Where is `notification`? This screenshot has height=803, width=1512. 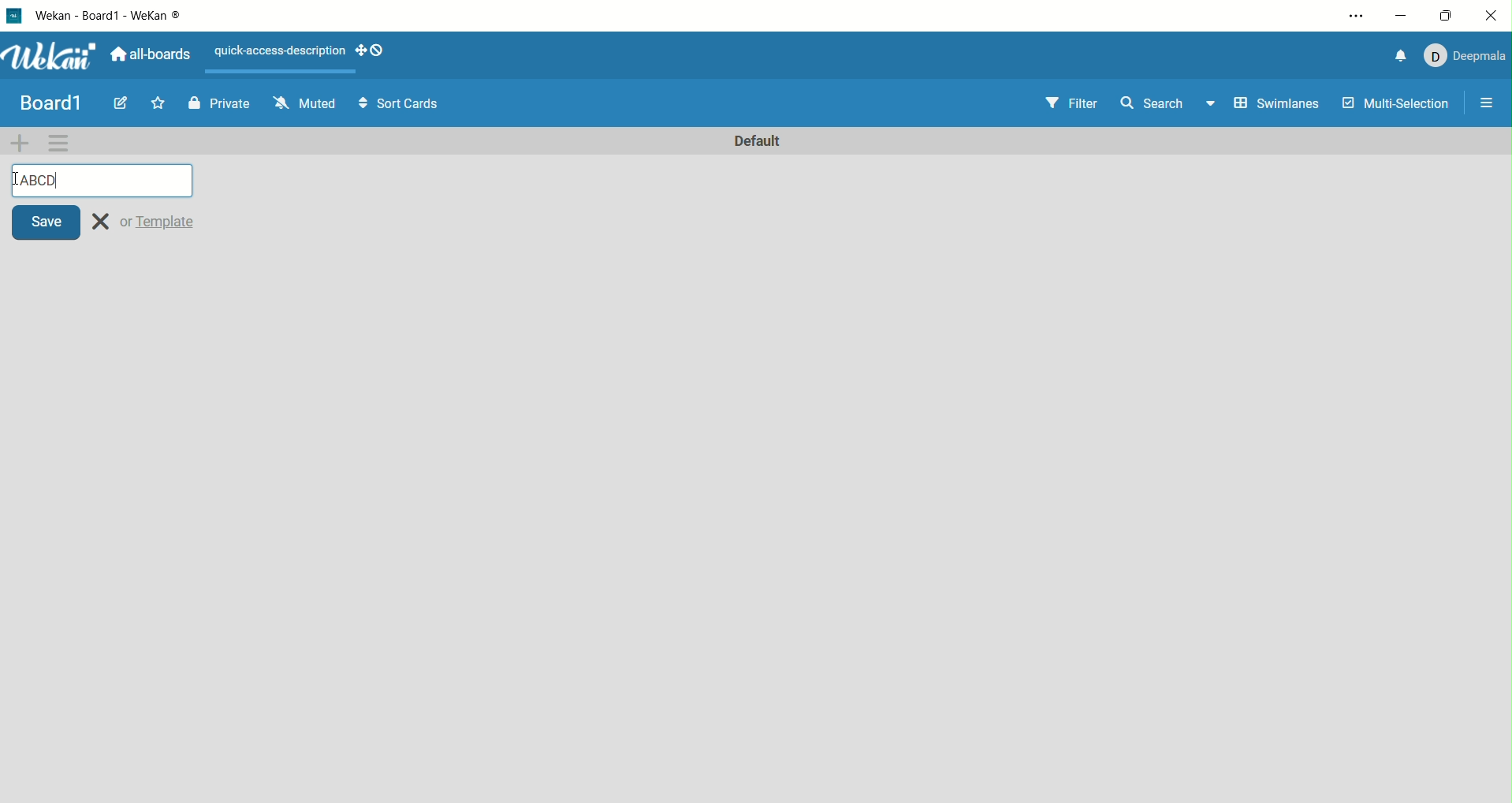 notification is located at coordinates (1402, 56).